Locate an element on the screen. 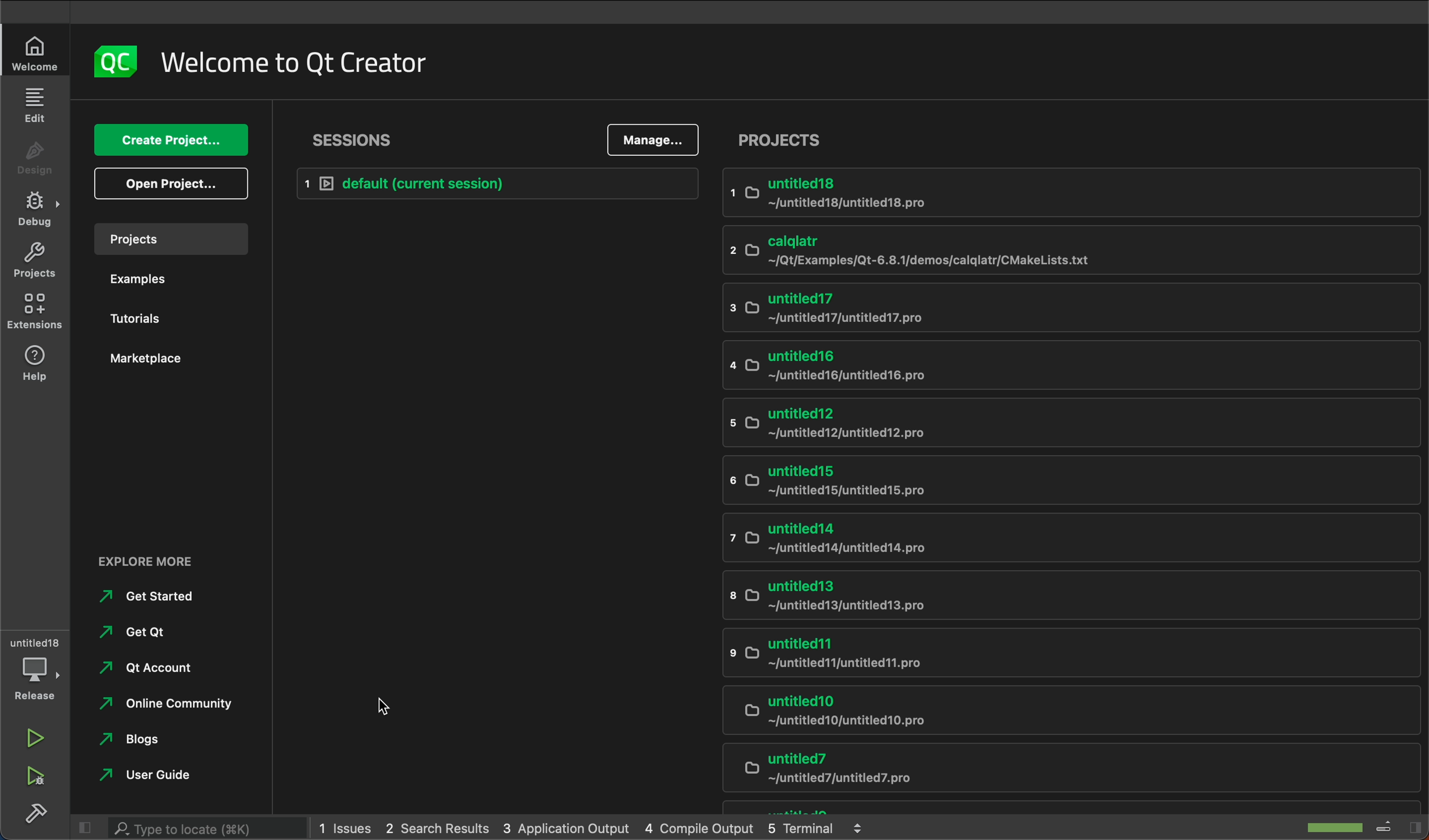 The width and height of the screenshot is (1429, 840). projects is located at coordinates (169, 241).